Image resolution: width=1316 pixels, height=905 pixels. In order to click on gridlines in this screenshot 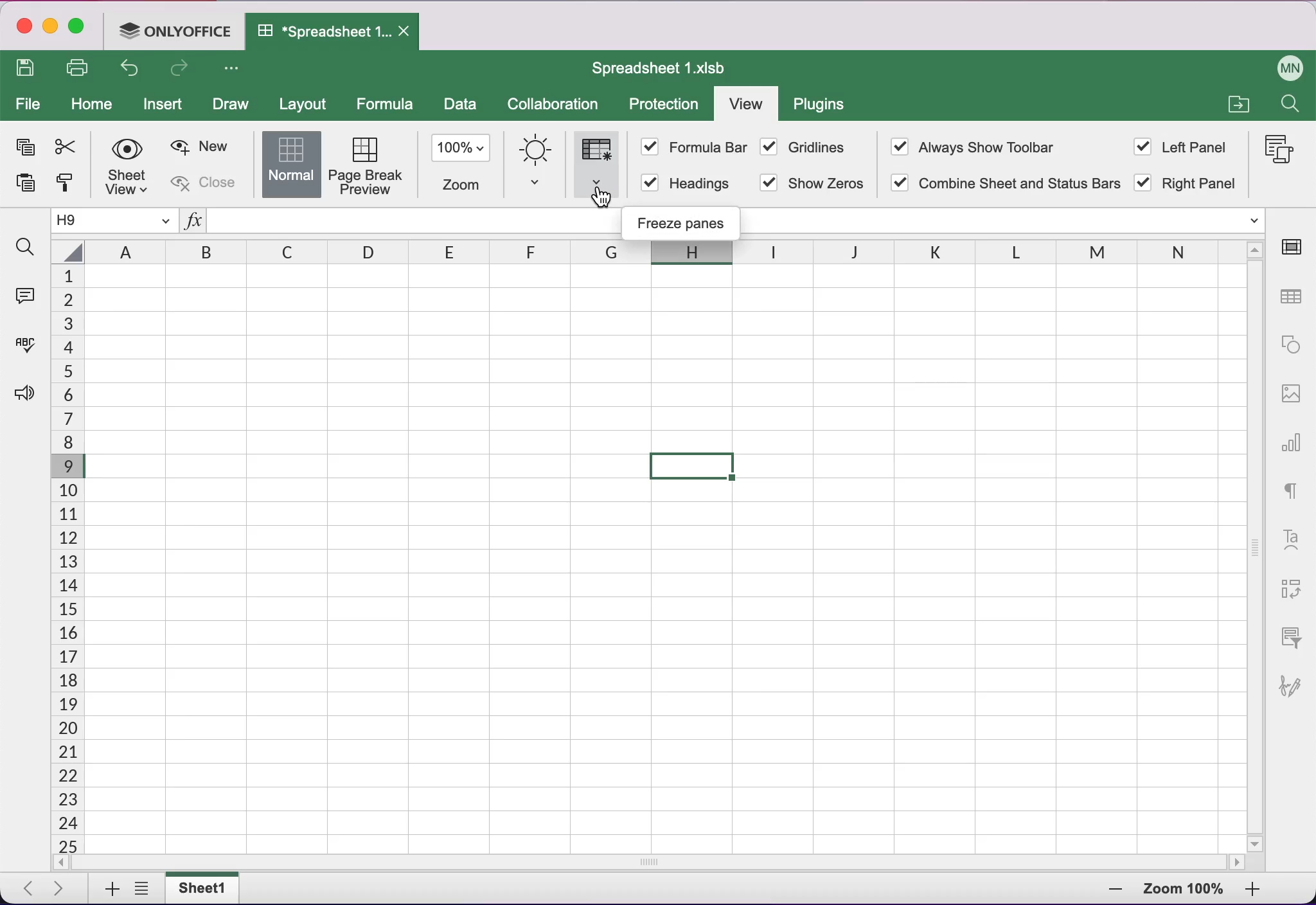, I will do `click(814, 150)`.